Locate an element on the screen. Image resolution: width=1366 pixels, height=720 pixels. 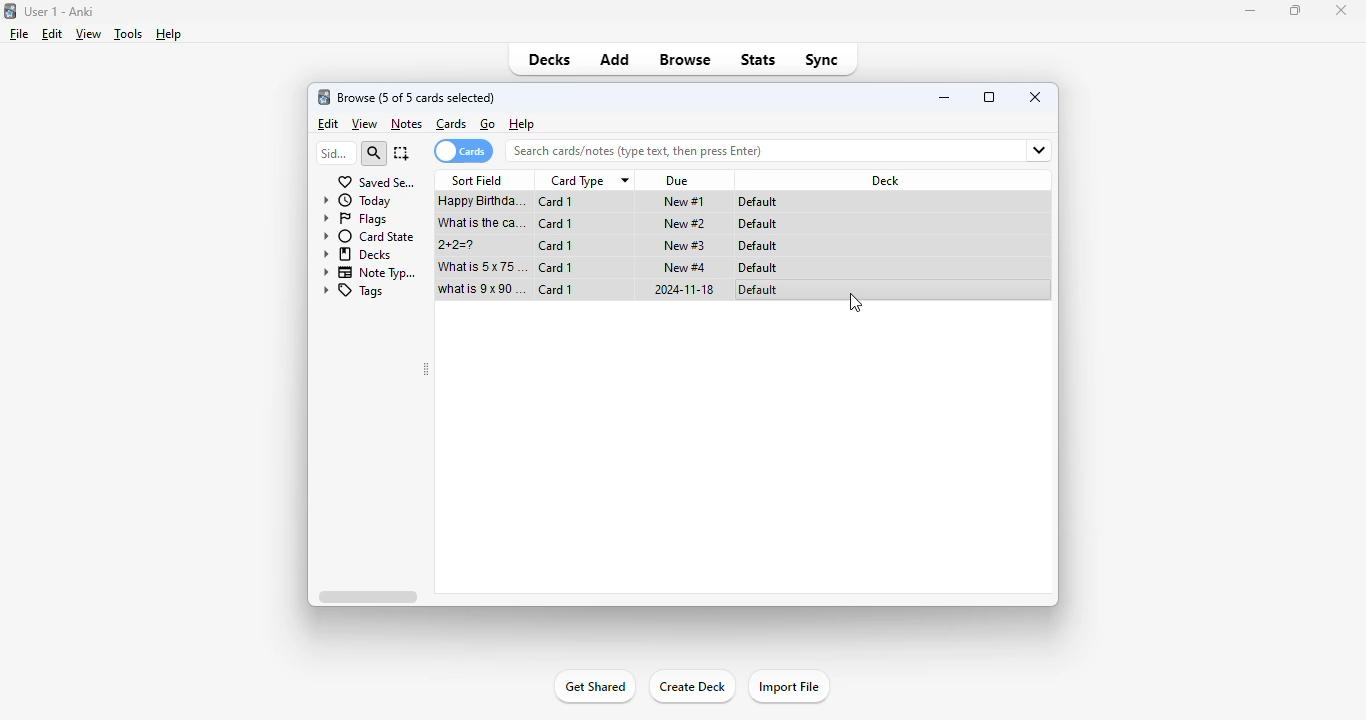
new #3 is located at coordinates (684, 245).